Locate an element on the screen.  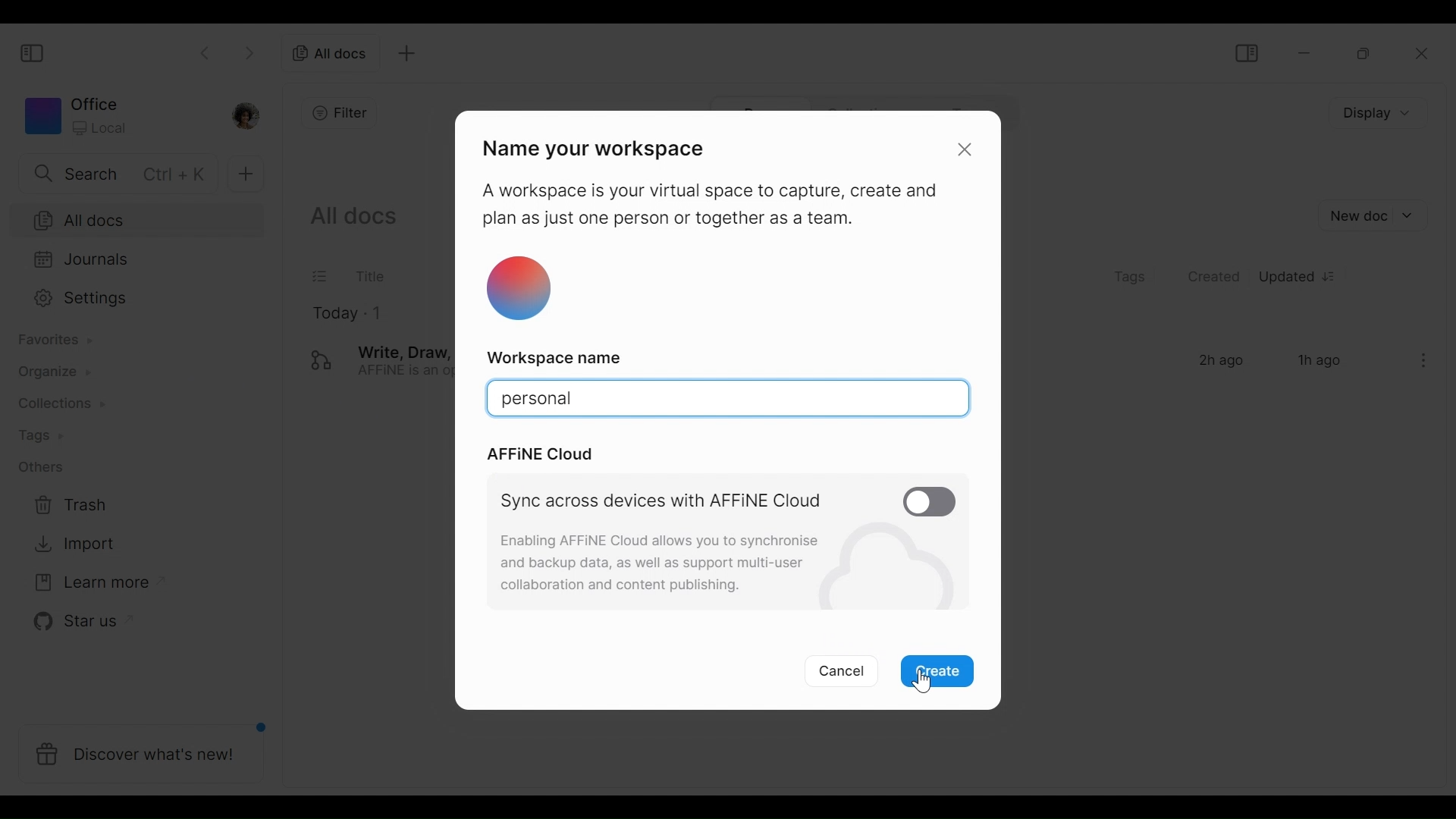
Workspace name is located at coordinates (560, 357).